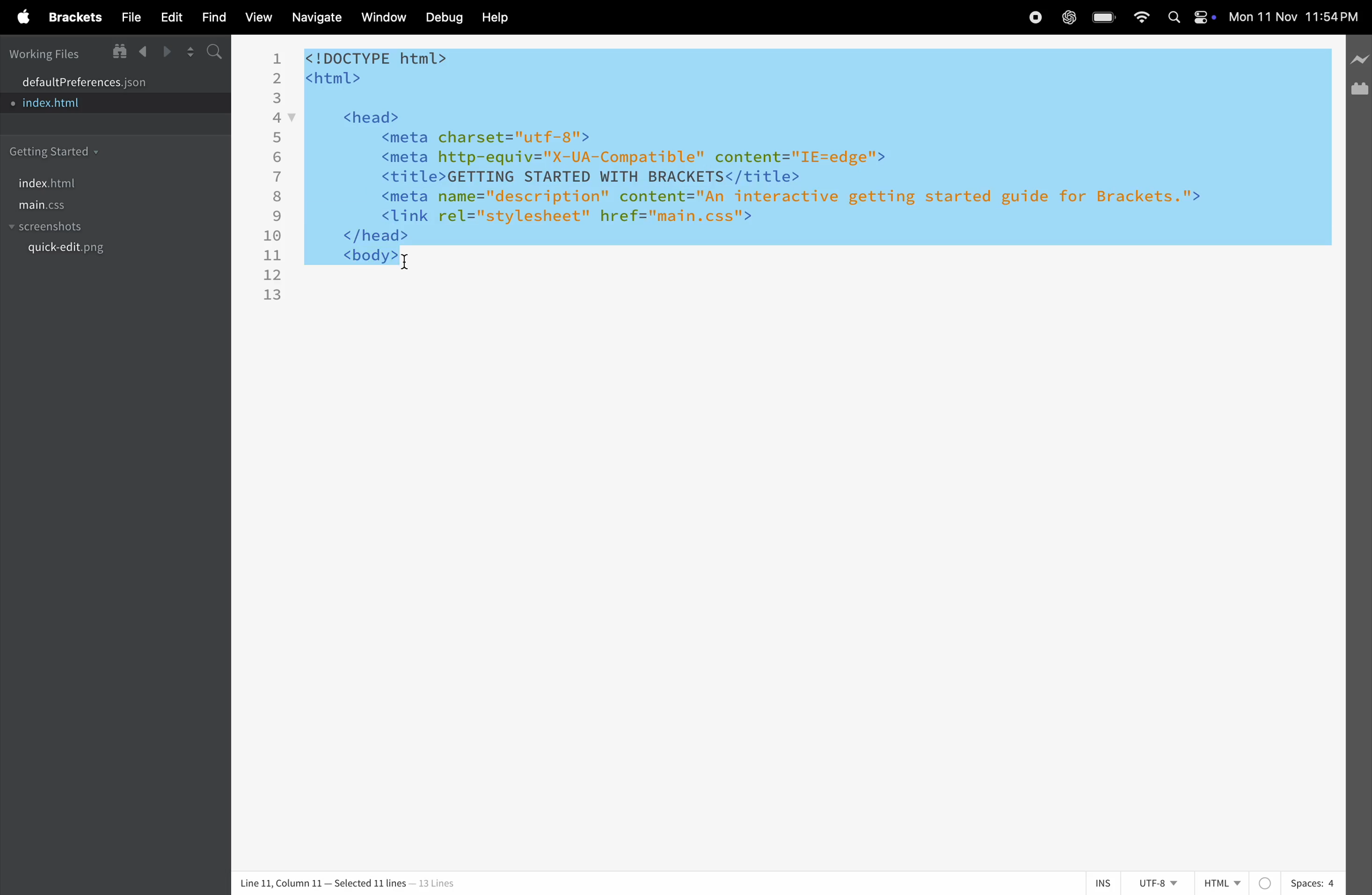 This screenshot has width=1372, height=895. Describe the element at coordinates (190, 51) in the screenshot. I see `split screen` at that location.